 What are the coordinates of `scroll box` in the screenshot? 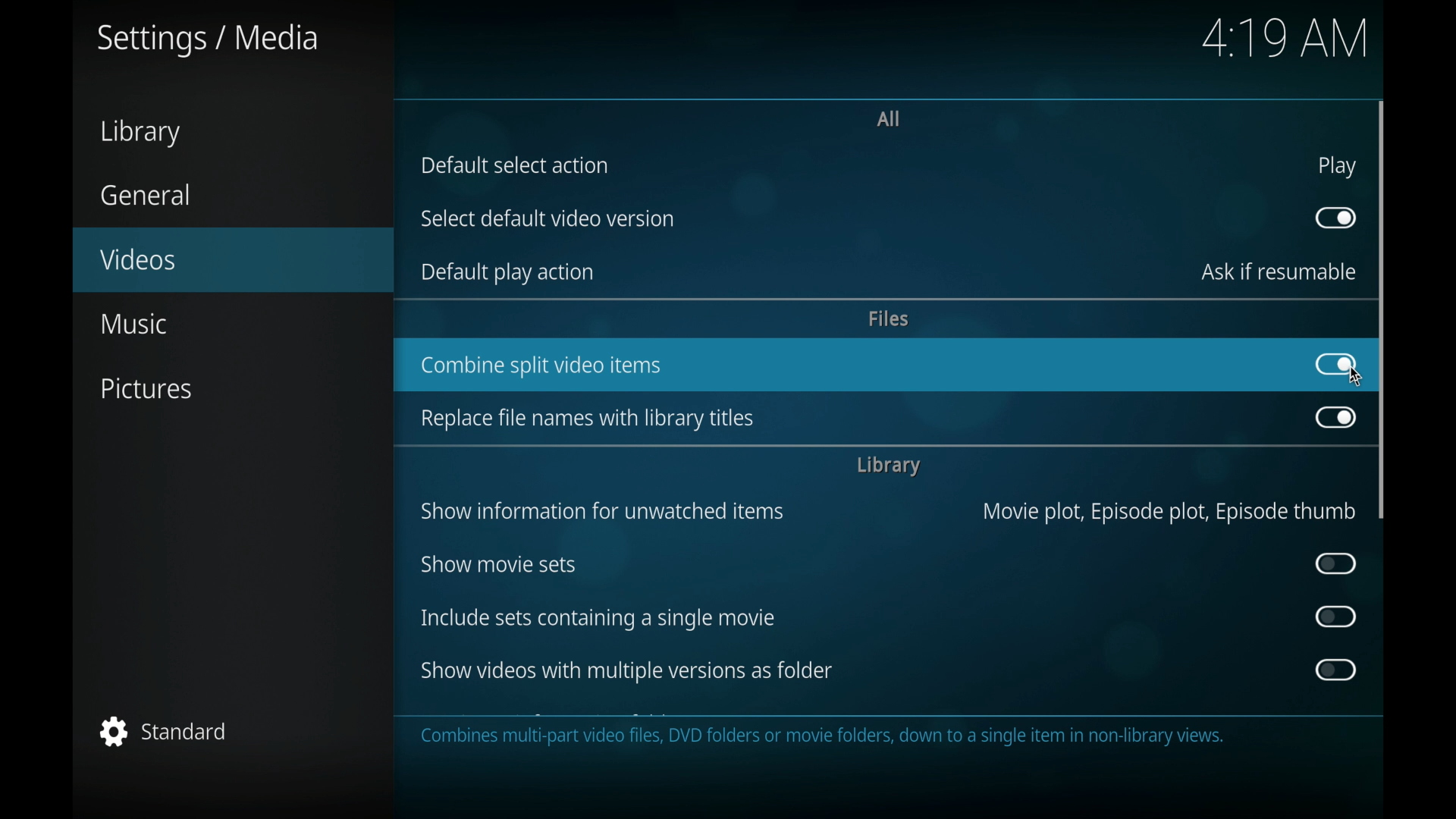 It's located at (1382, 309).